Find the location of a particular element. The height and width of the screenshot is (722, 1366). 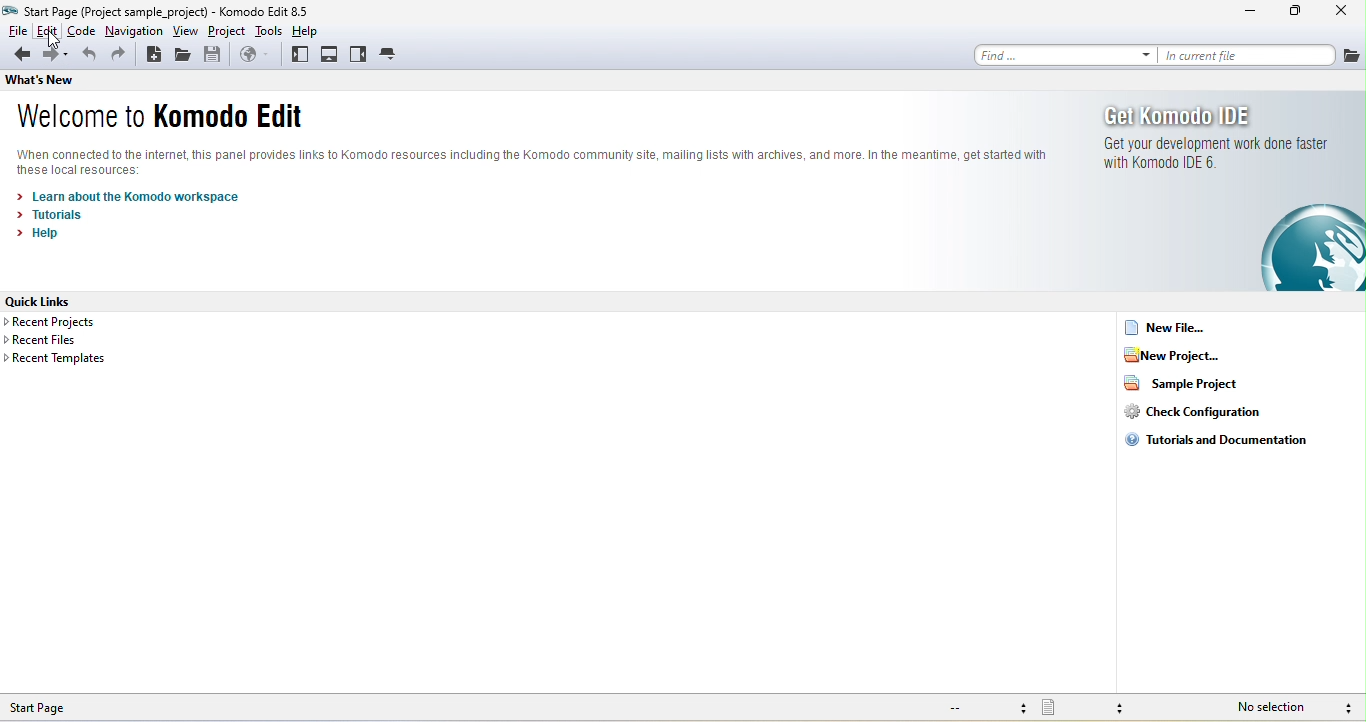

maximize is located at coordinates (1288, 12).